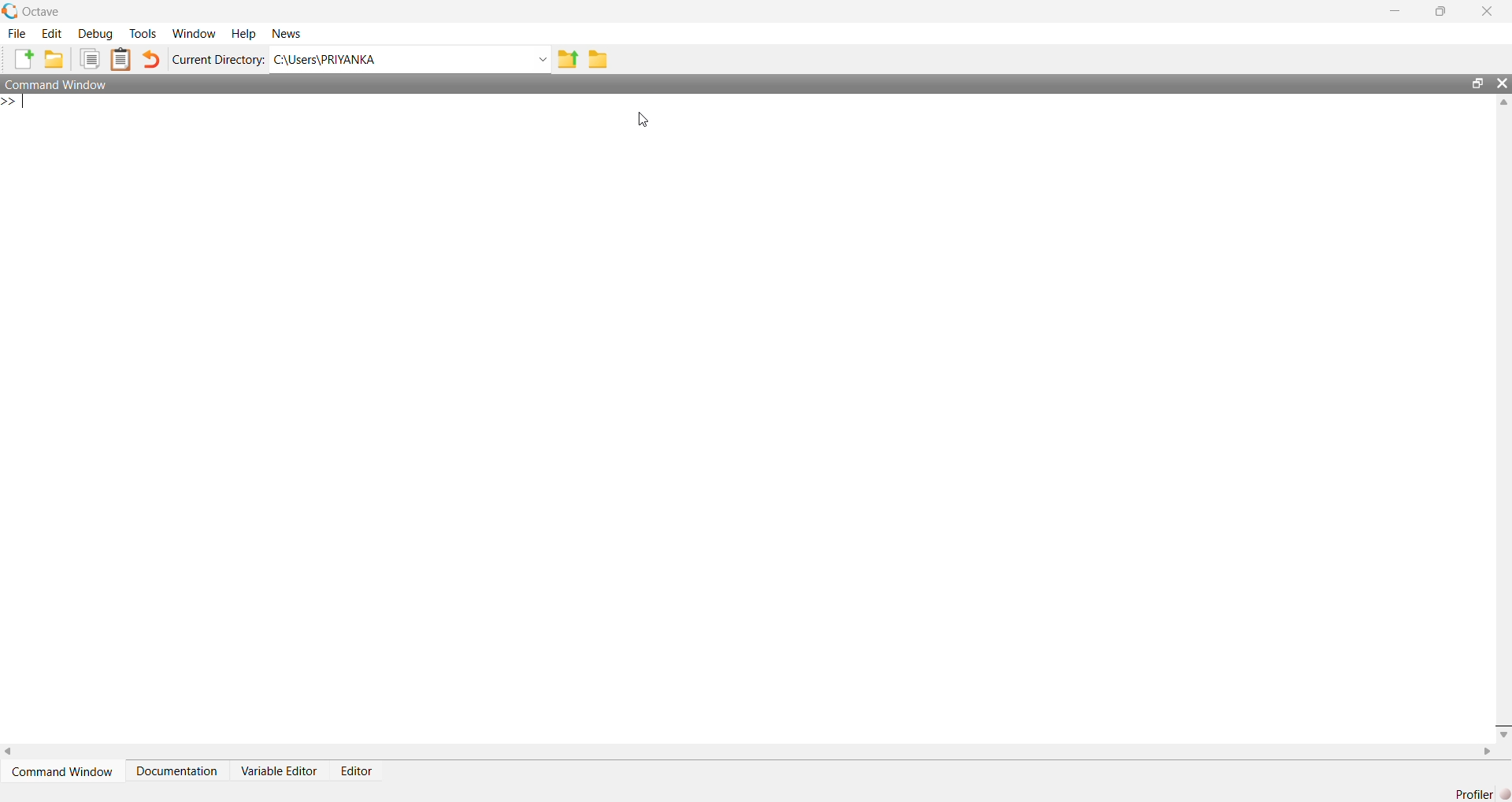  Describe the element at coordinates (143, 32) in the screenshot. I see `Tools` at that location.